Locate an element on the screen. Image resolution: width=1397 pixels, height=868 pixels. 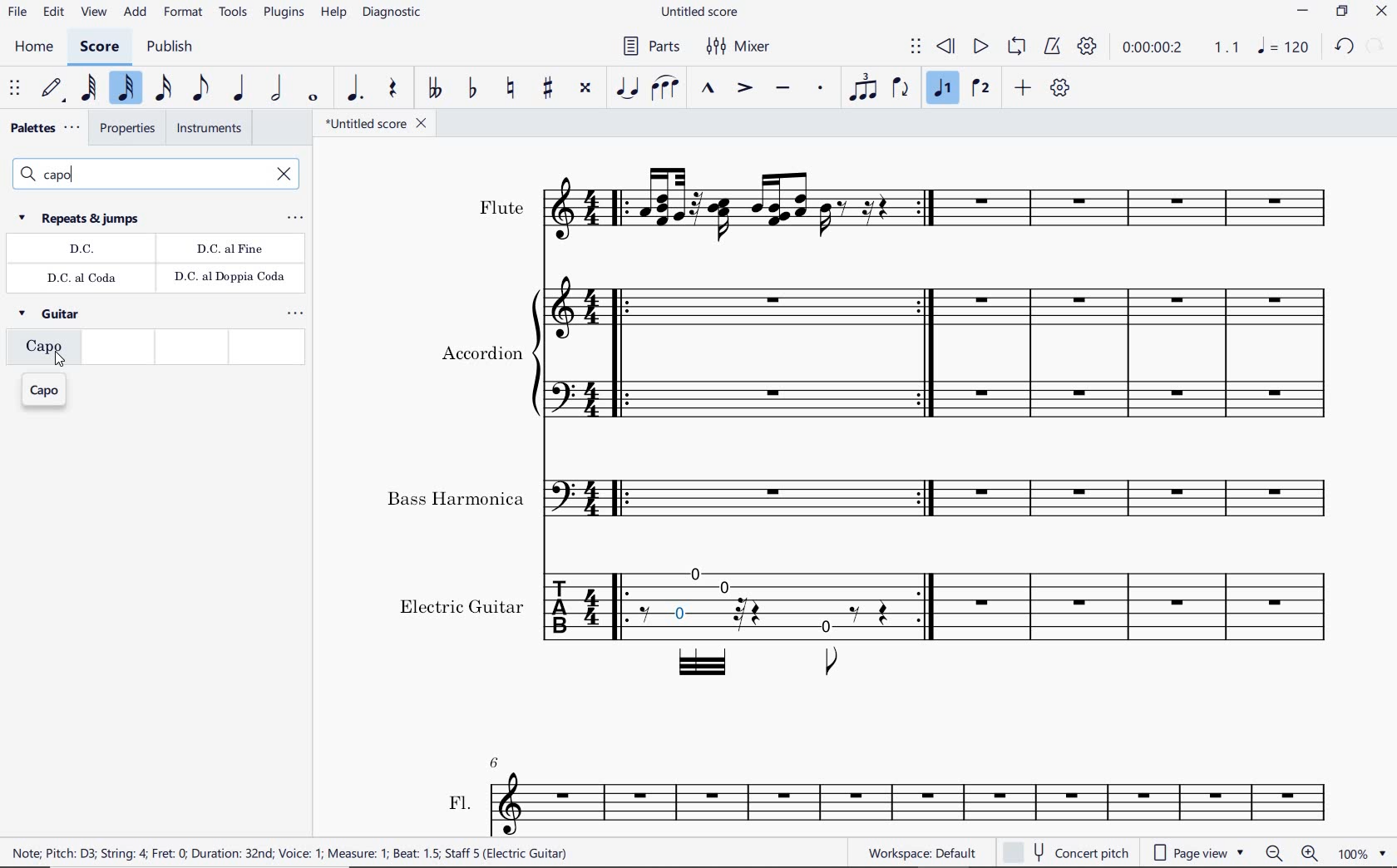
voice1 is located at coordinates (943, 87).